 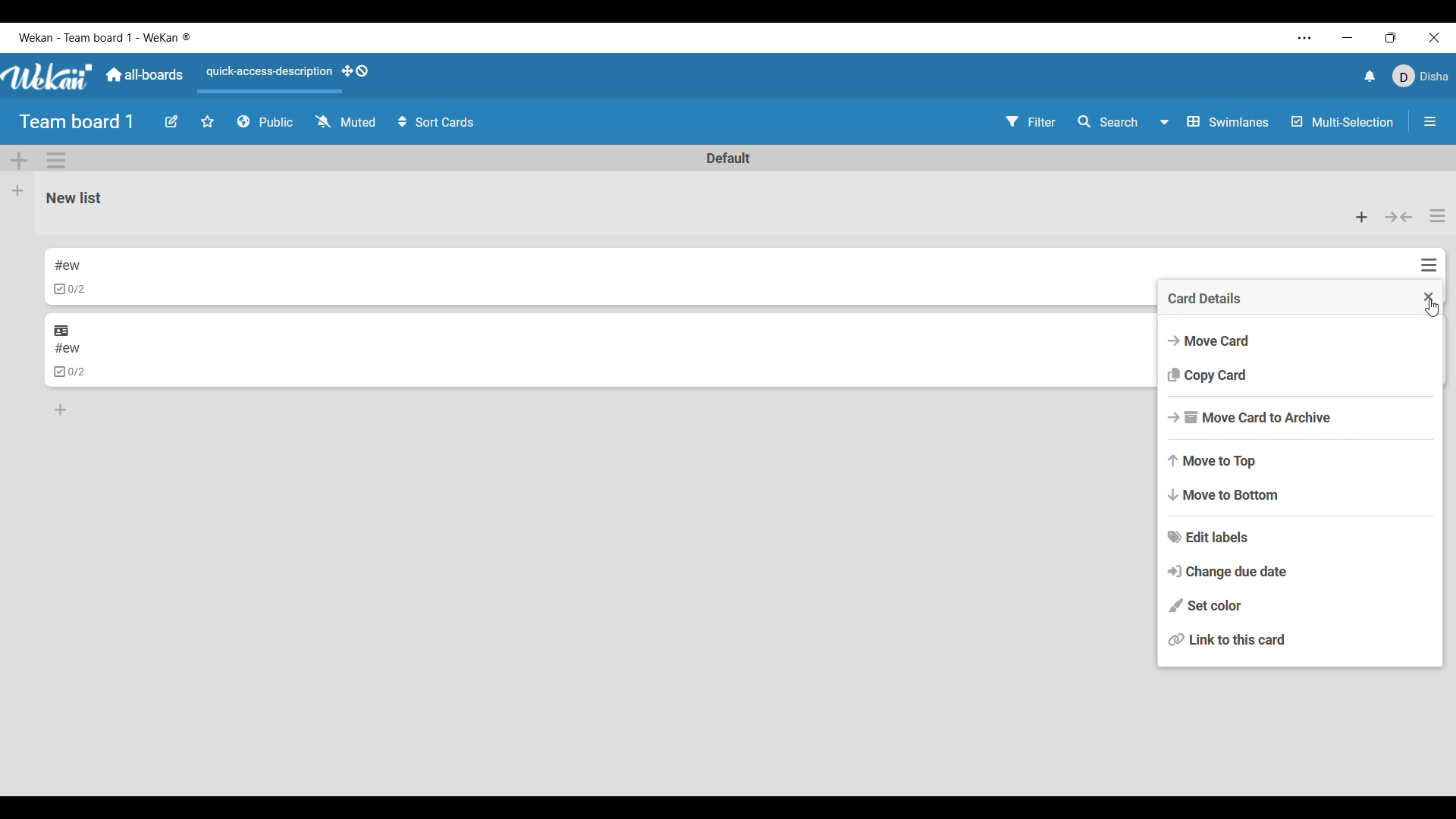 What do you see at coordinates (1204, 298) in the screenshot?
I see `Menu title` at bounding box center [1204, 298].